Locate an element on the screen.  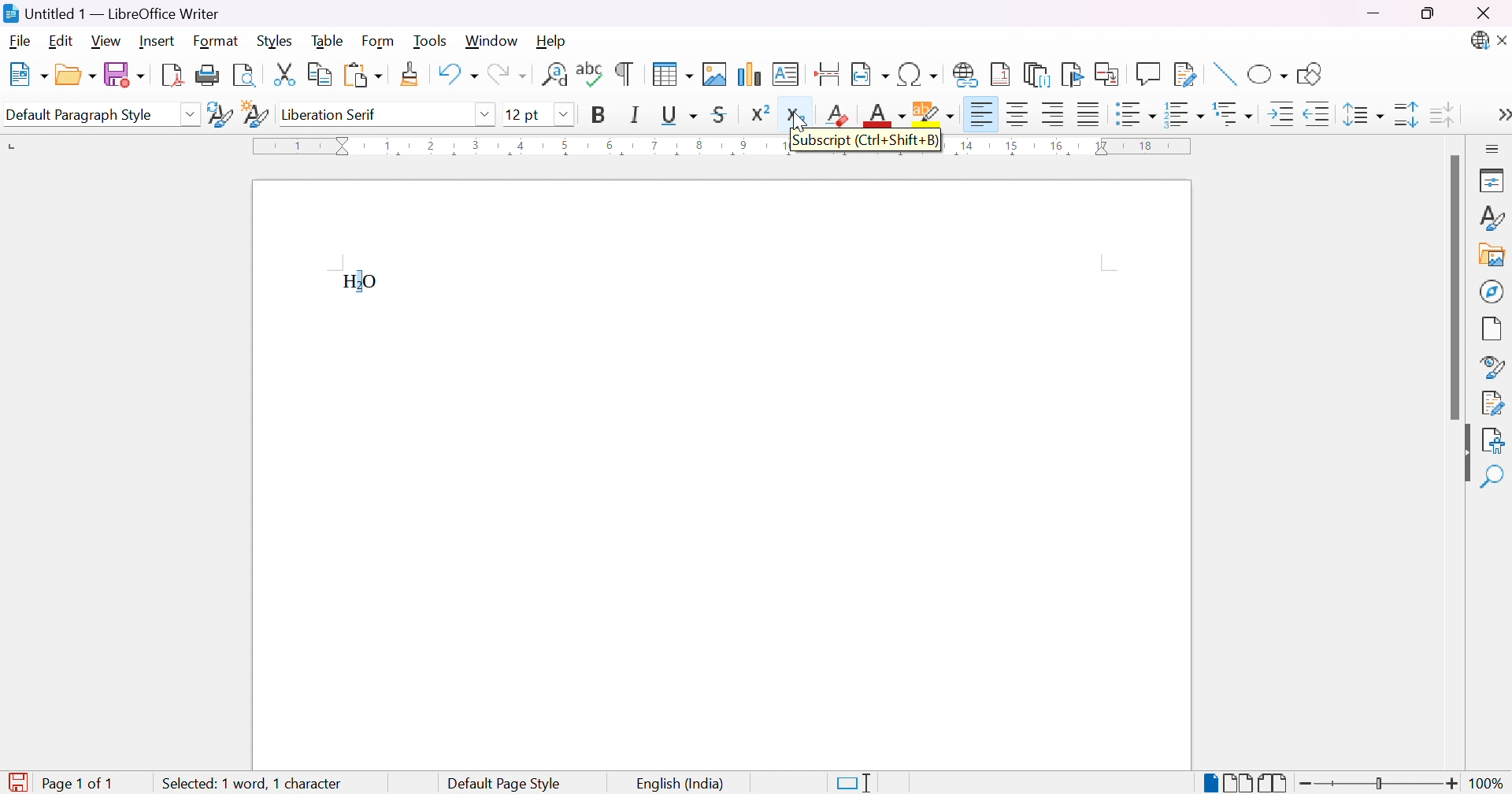
RULER is located at coordinates (513, 147).